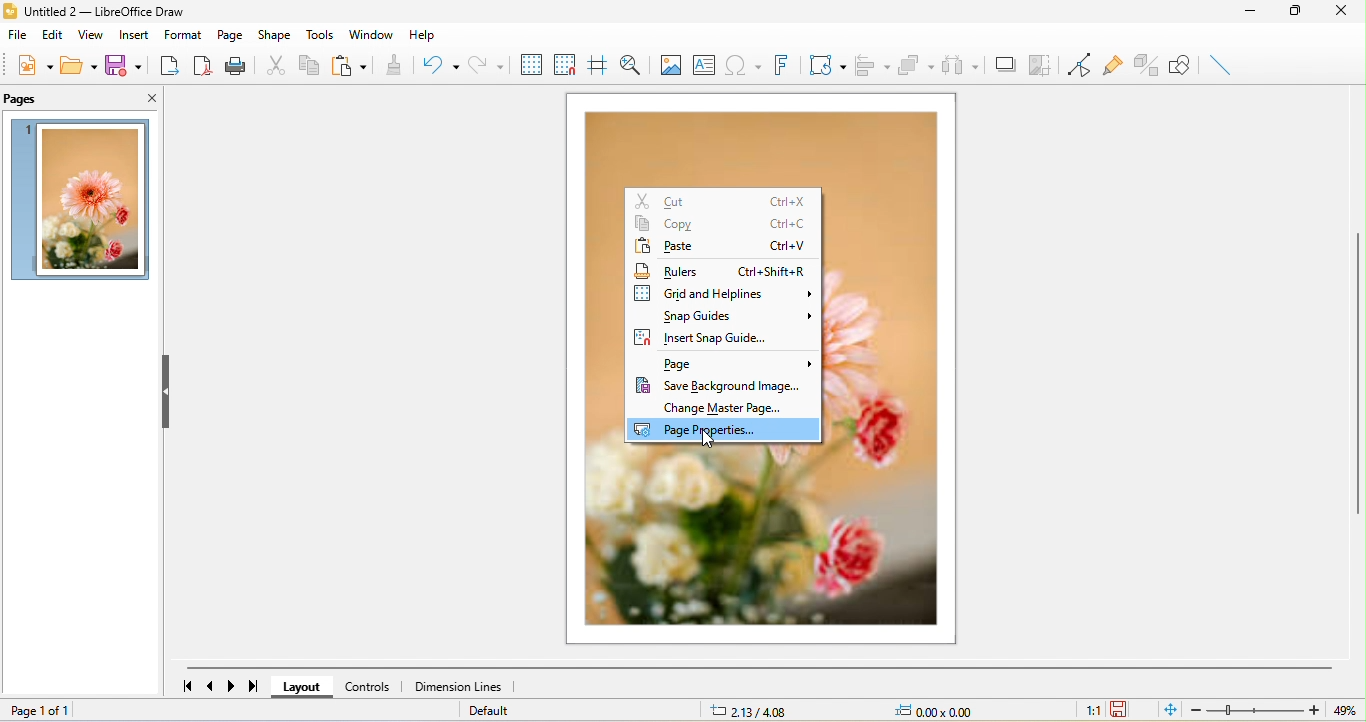  What do you see at coordinates (718, 384) in the screenshot?
I see `save background image` at bounding box center [718, 384].